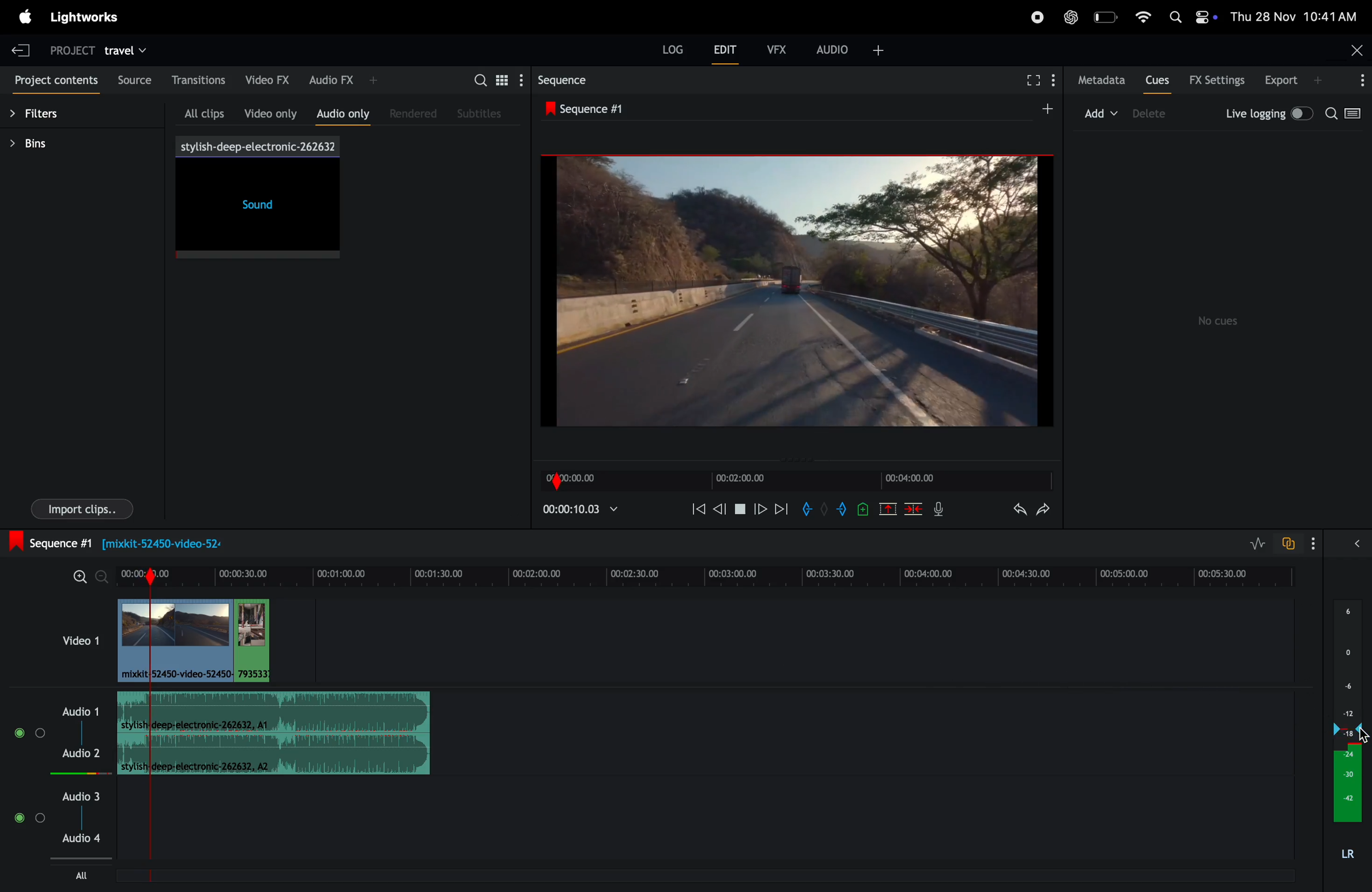  What do you see at coordinates (126, 53) in the screenshot?
I see `travel` at bounding box center [126, 53].